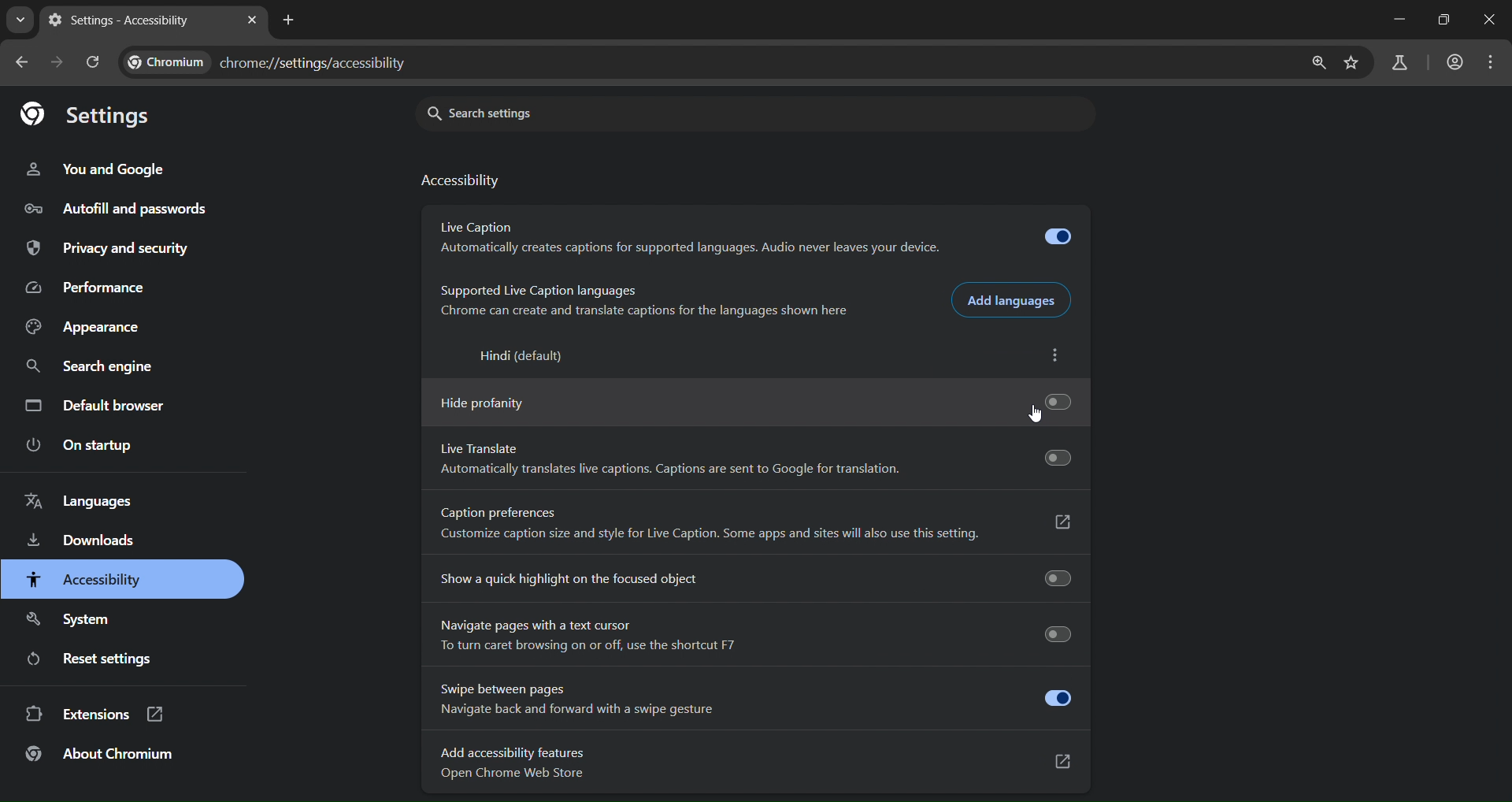  What do you see at coordinates (1455, 61) in the screenshot?
I see `accounts` at bounding box center [1455, 61].